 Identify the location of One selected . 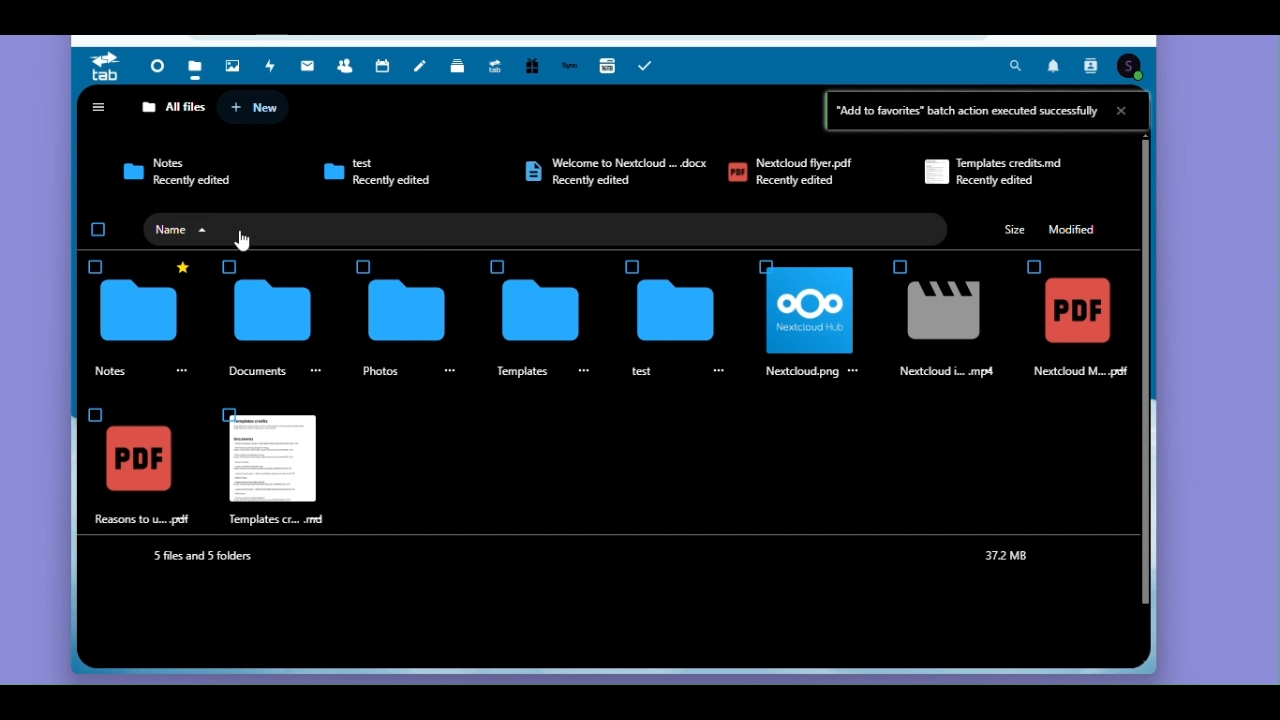
(98, 231).